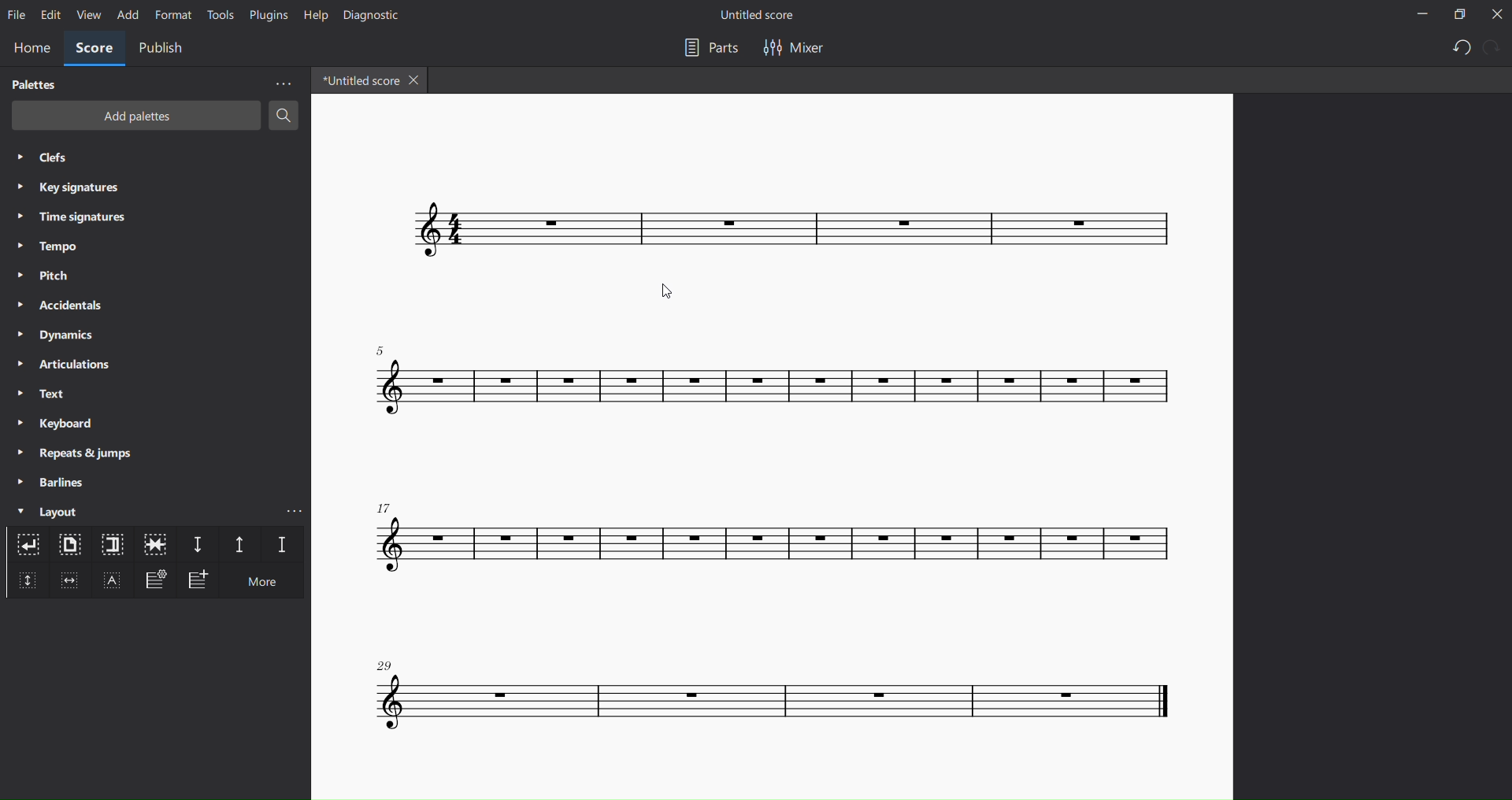 The image size is (1512, 800). What do you see at coordinates (40, 394) in the screenshot?
I see `text` at bounding box center [40, 394].